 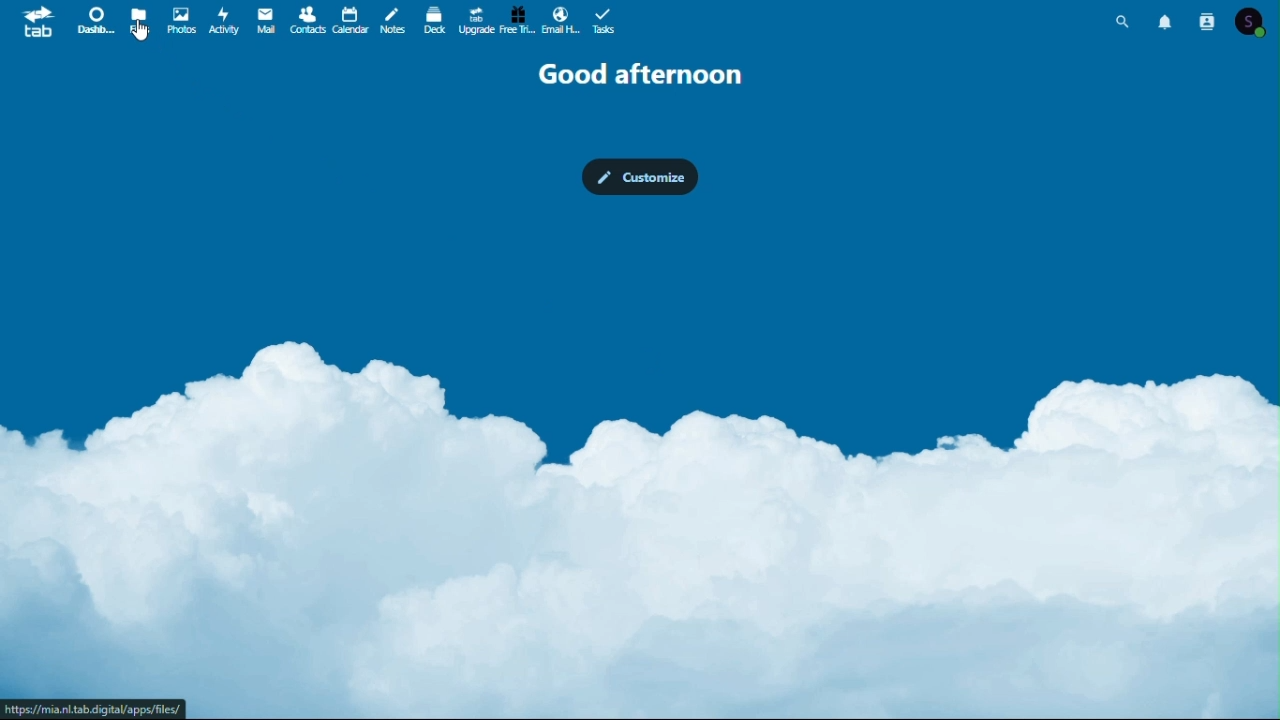 What do you see at coordinates (516, 20) in the screenshot?
I see `Free trial` at bounding box center [516, 20].